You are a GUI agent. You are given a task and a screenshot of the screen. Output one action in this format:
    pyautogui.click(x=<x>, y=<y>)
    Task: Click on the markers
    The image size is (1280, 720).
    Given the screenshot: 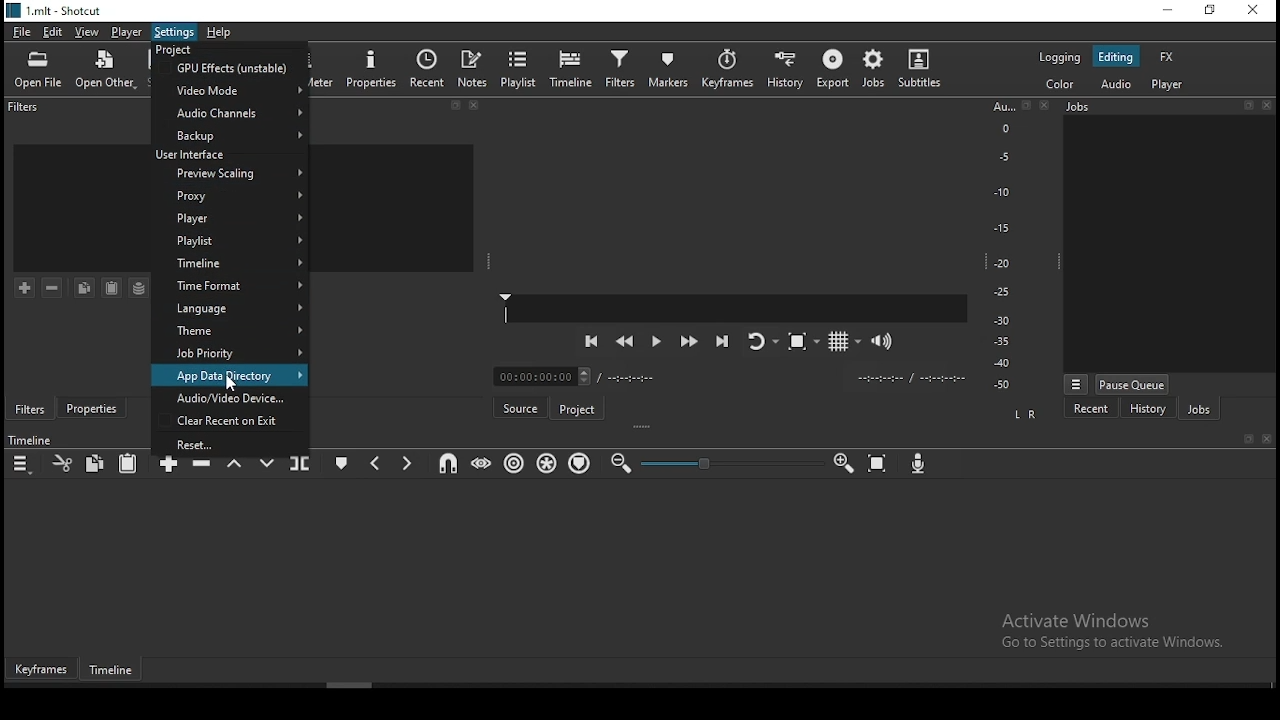 What is the action you would take?
    pyautogui.click(x=671, y=69)
    